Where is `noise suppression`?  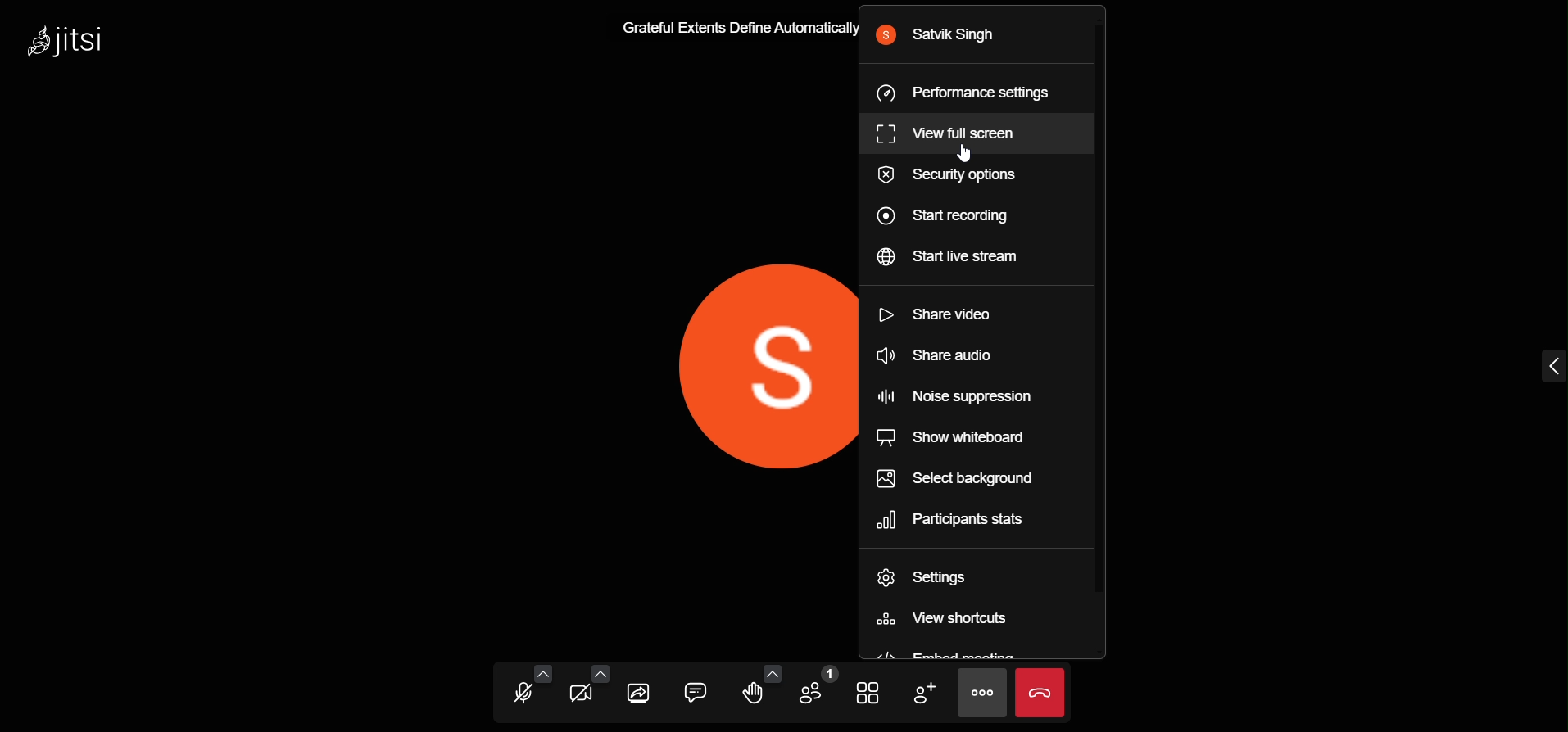 noise suppression is located at coordinates (958, 393).